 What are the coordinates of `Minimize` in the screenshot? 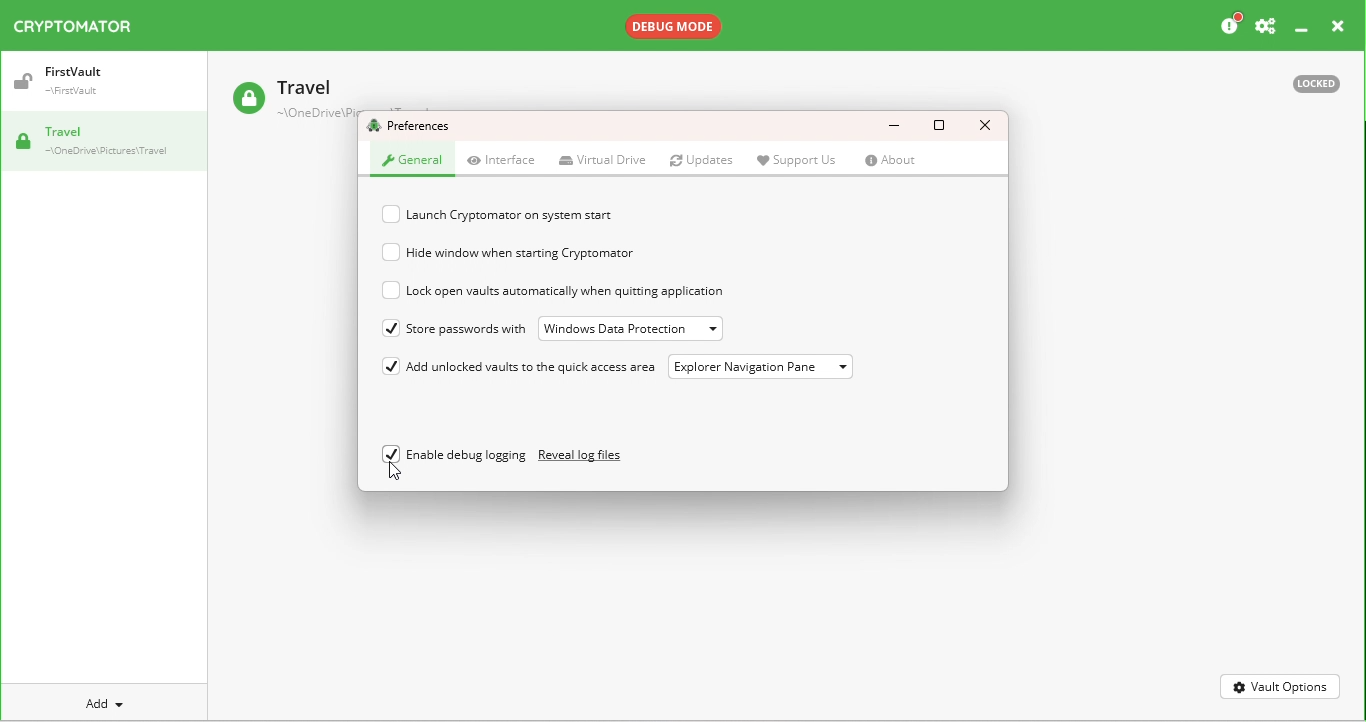 It's located at (893, 123).